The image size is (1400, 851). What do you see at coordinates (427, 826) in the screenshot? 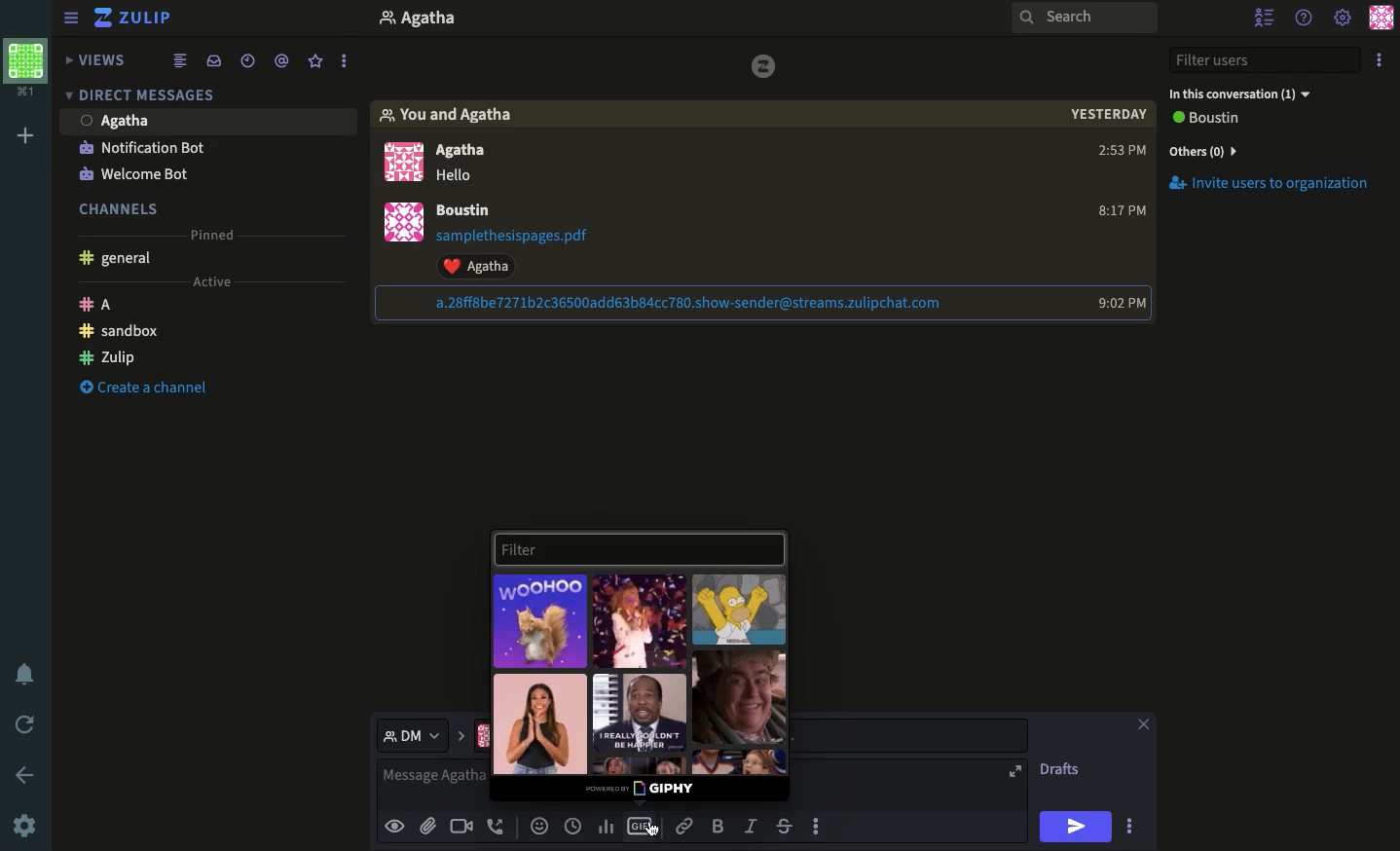
I see `File attachment` at bounding box center [427, 826].